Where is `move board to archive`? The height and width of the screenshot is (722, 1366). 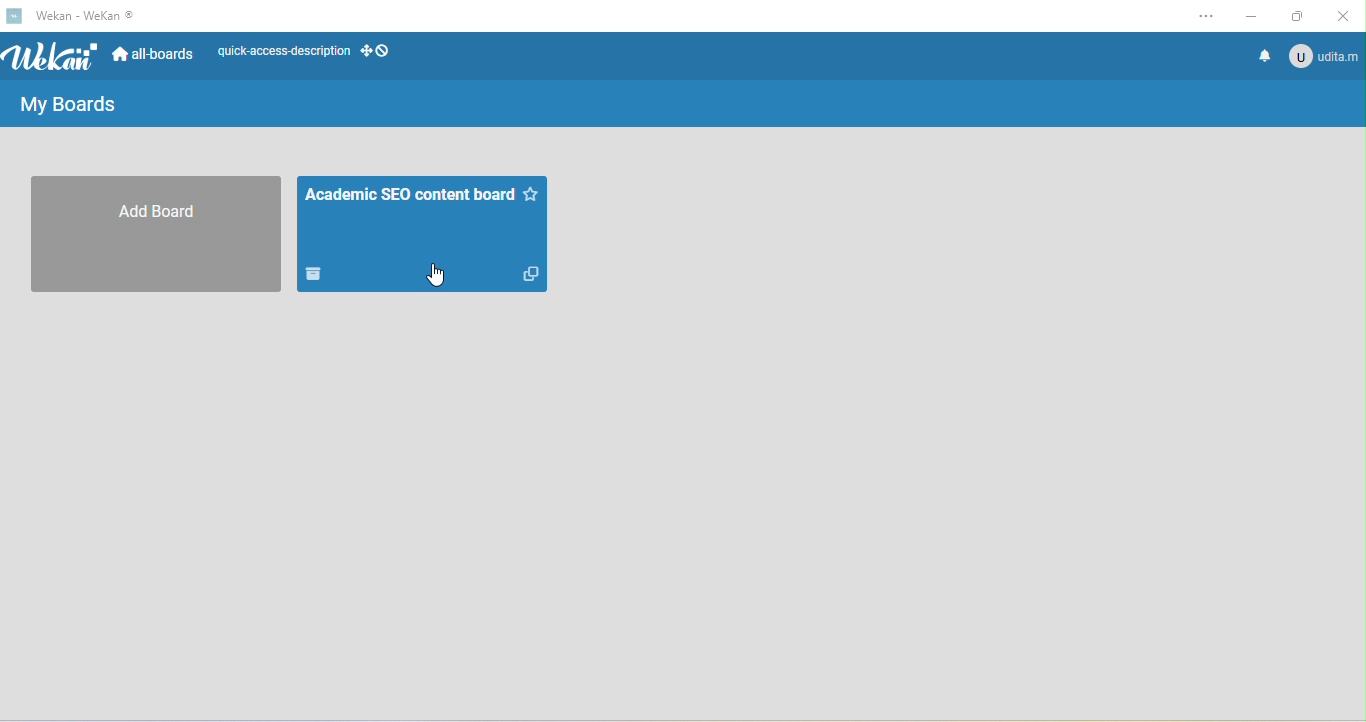 move board to archive is located at coordinates (314, 274).